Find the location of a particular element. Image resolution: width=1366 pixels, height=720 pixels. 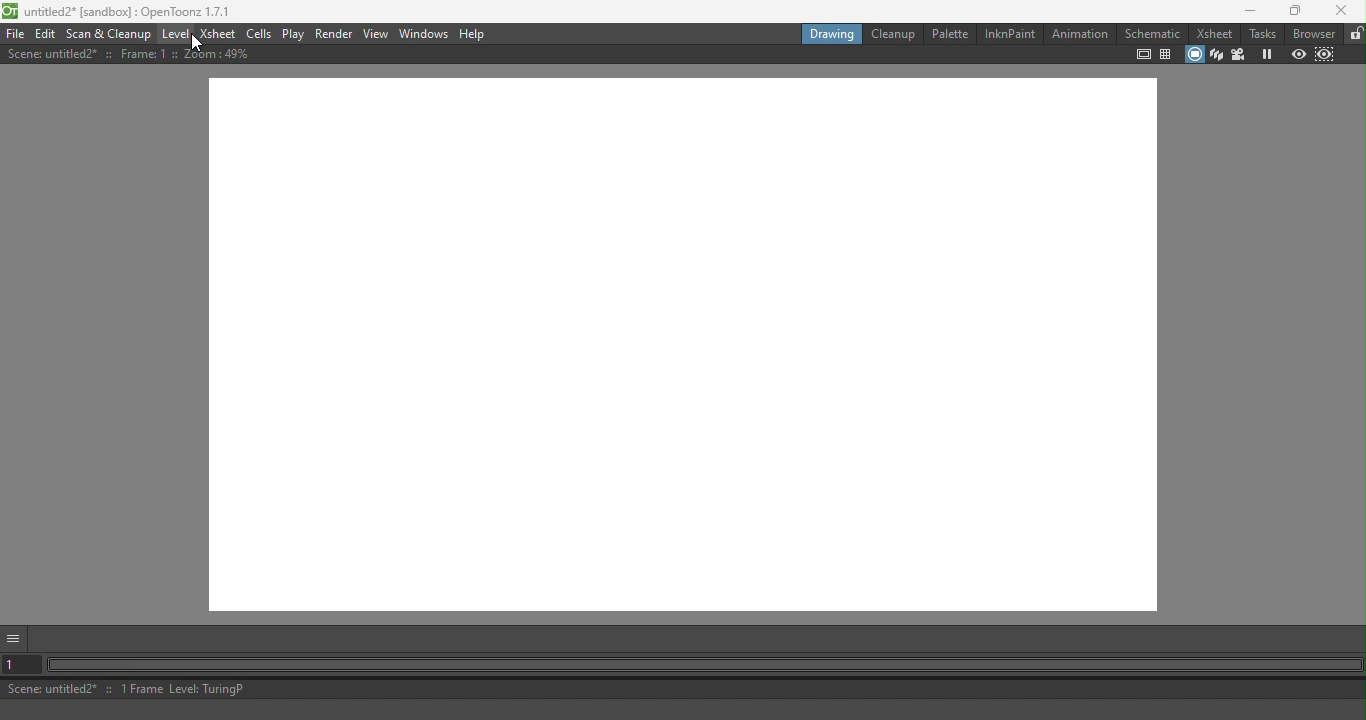

Status bar is located at coordinates (686, 691).